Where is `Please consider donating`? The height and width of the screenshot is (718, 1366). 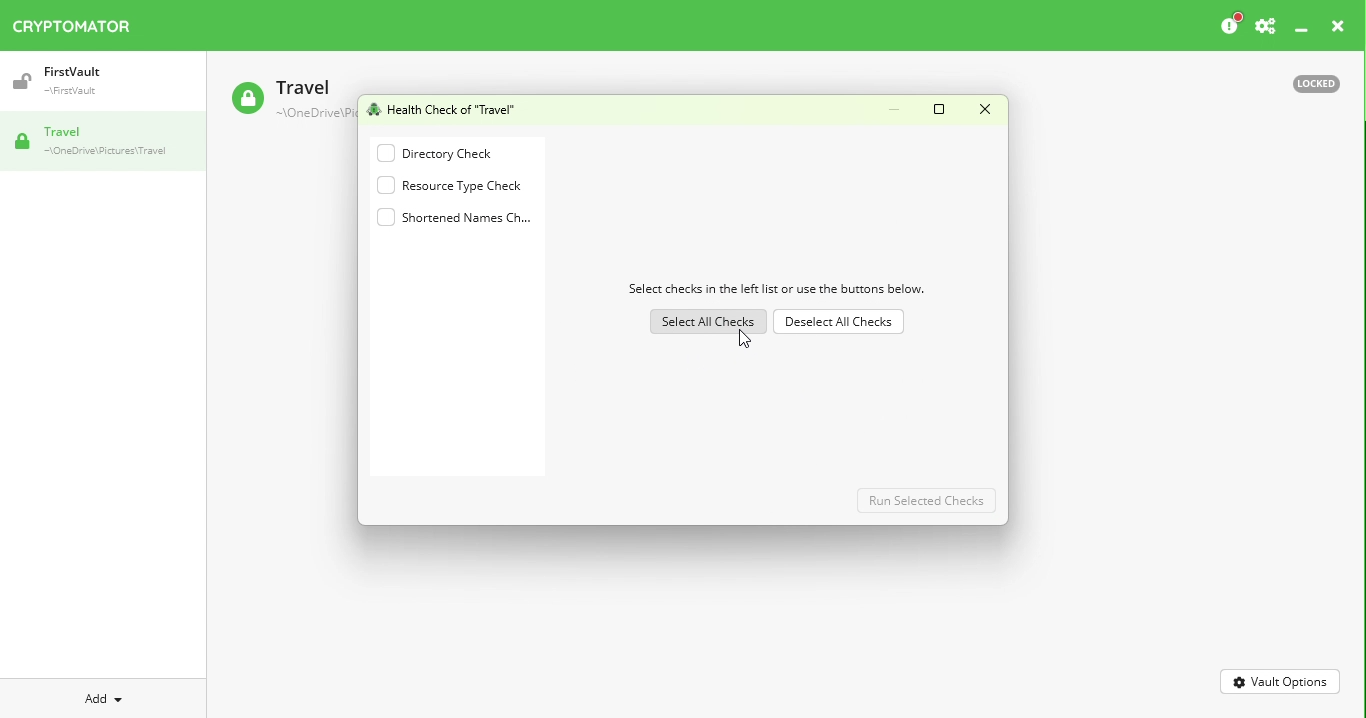
Please consider donating is located at coordinates (1225, 24).